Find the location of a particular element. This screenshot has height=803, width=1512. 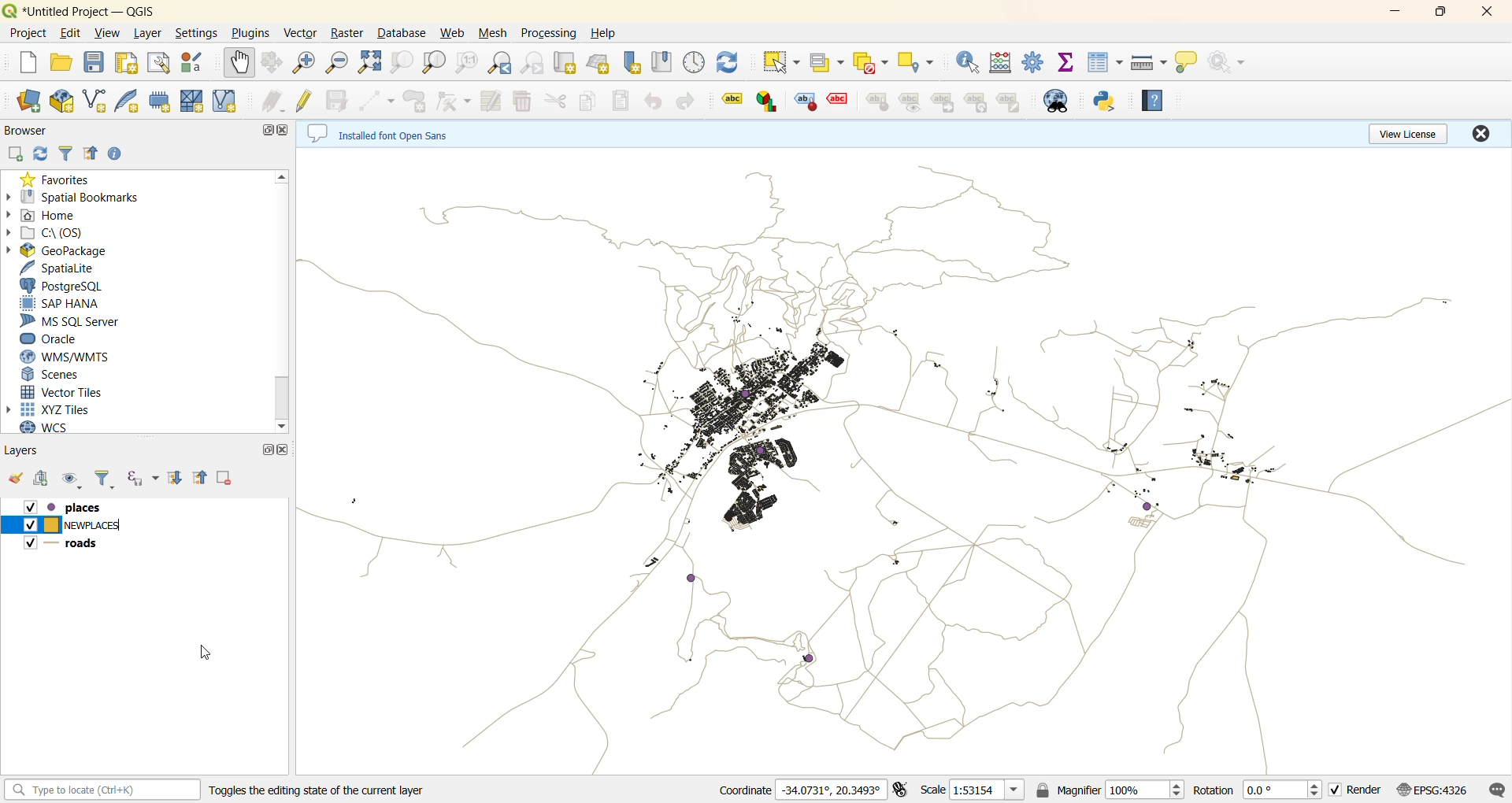

label is located at coordinates (726, 99).